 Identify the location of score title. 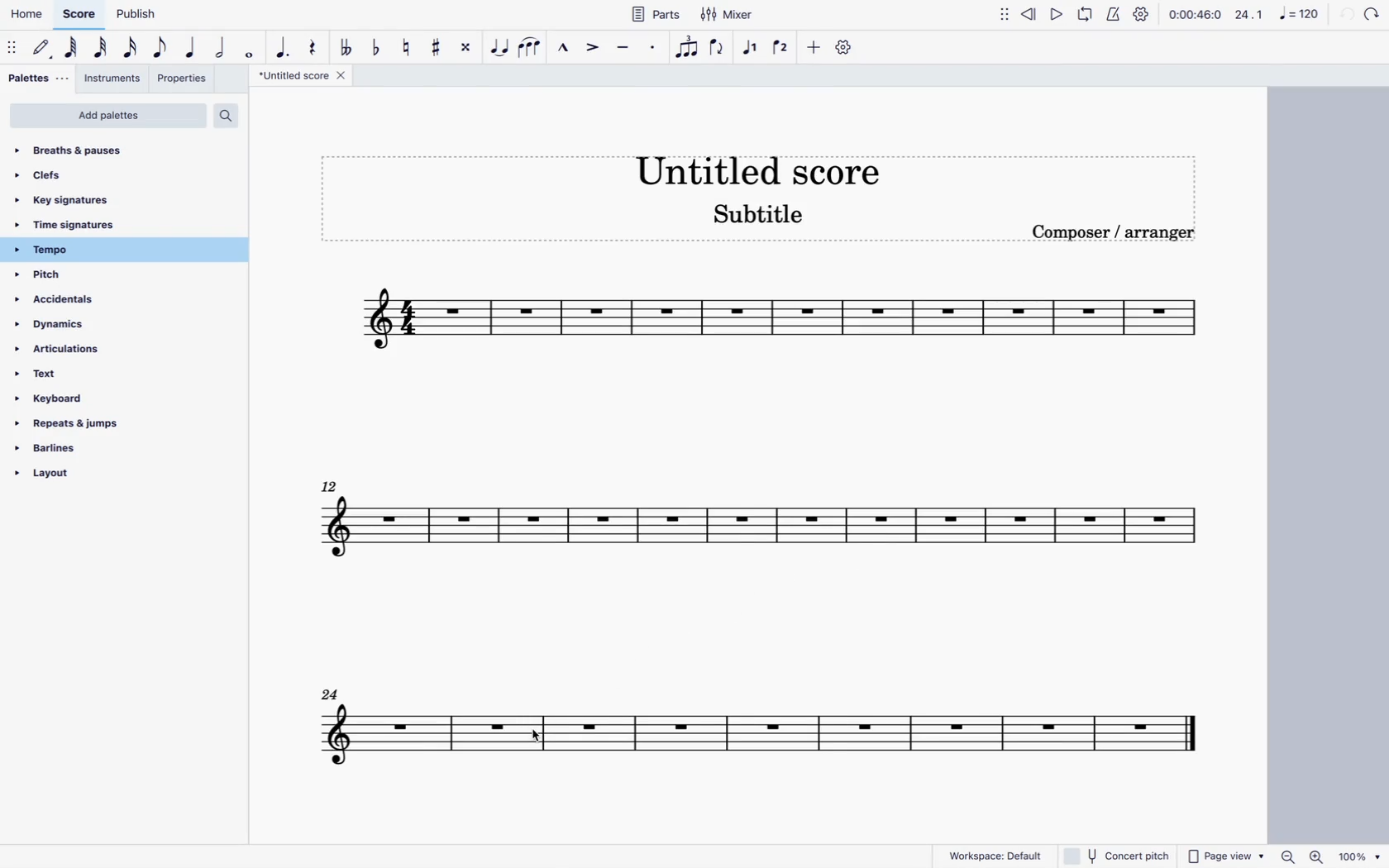
(304, 77).